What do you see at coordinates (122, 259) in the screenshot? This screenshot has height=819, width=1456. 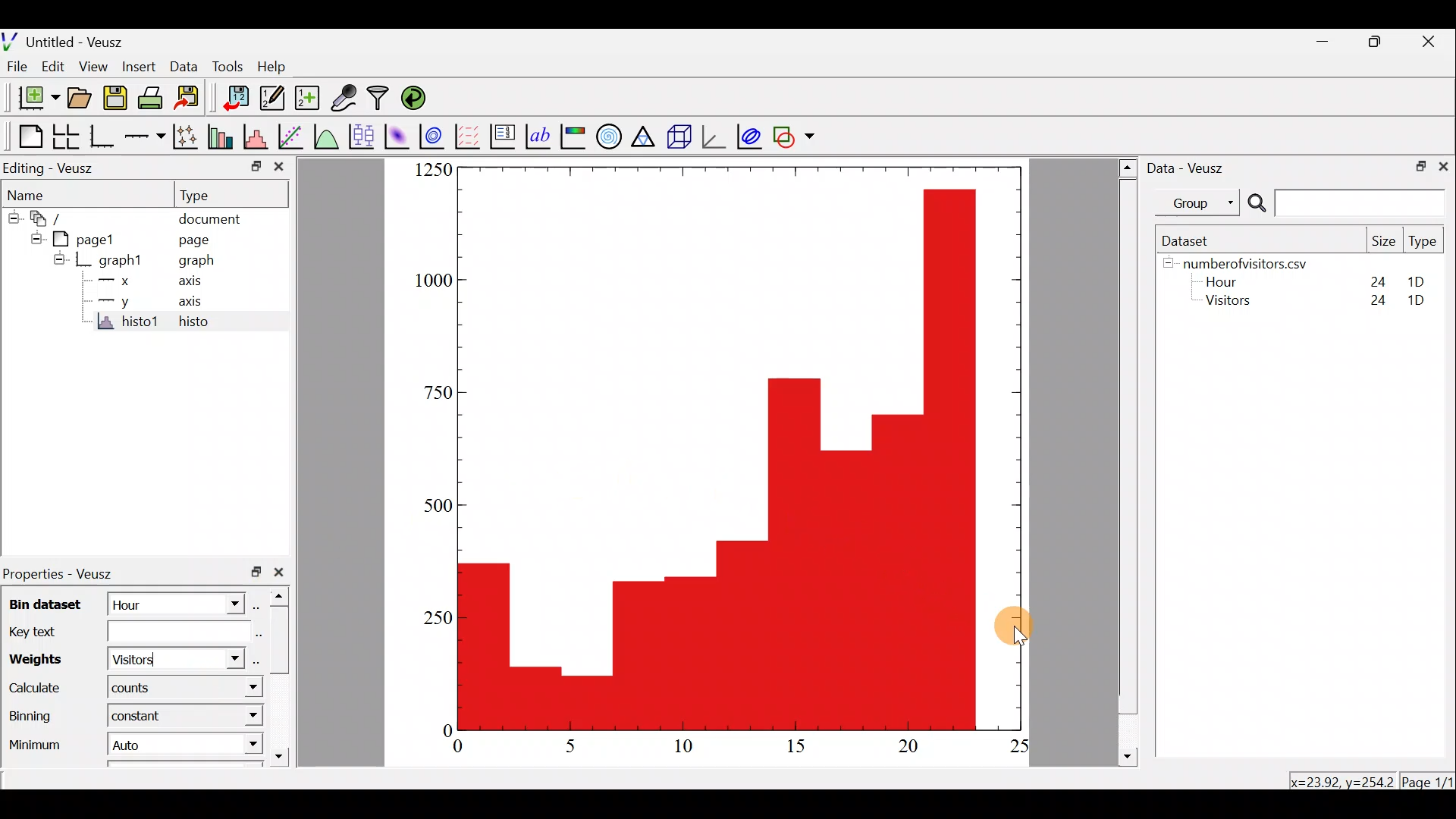 I see `graph1` at bounding box center [122, 259].